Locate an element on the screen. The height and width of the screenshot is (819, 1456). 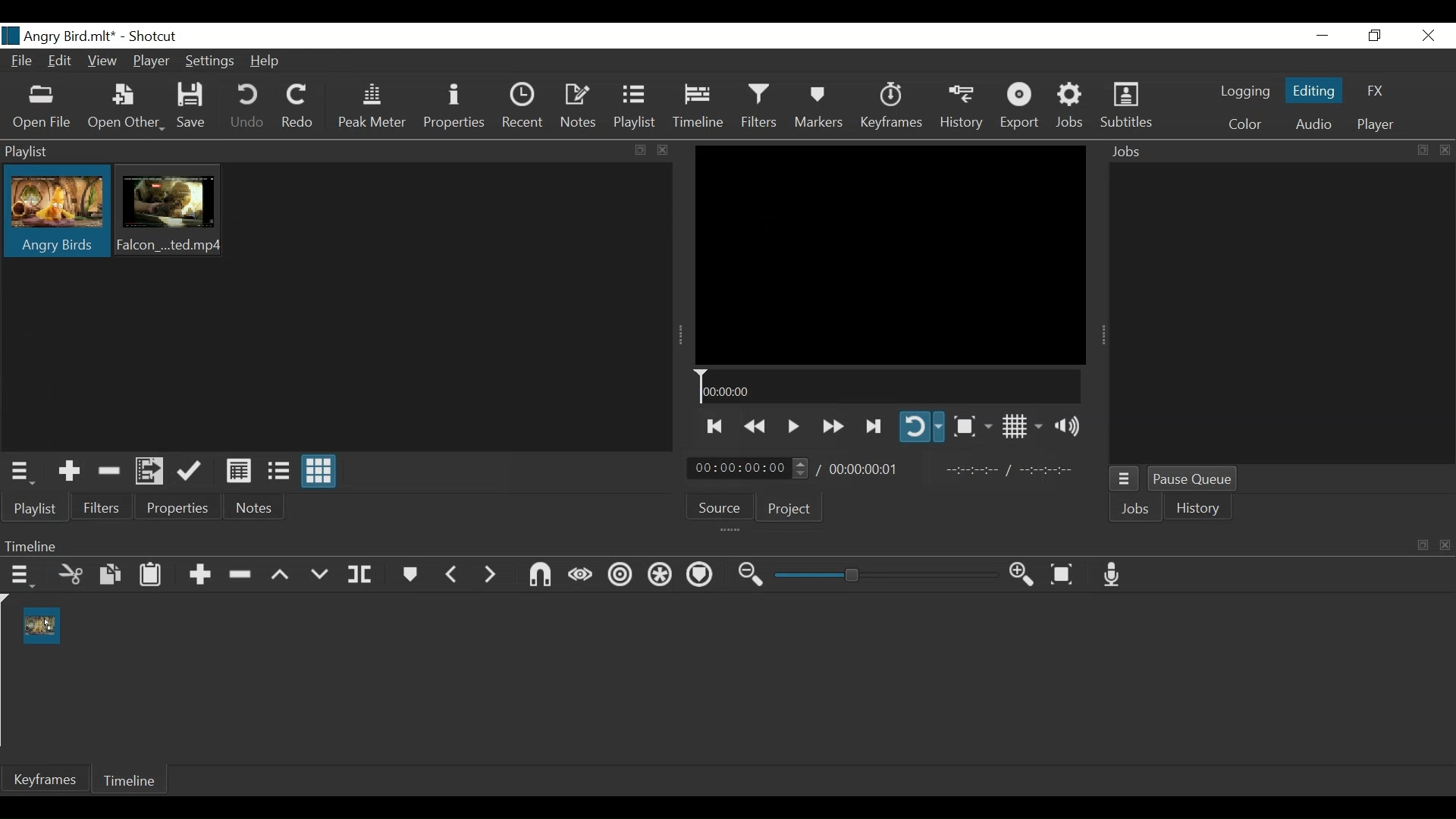
Recent is located at coordinates (526, 108).